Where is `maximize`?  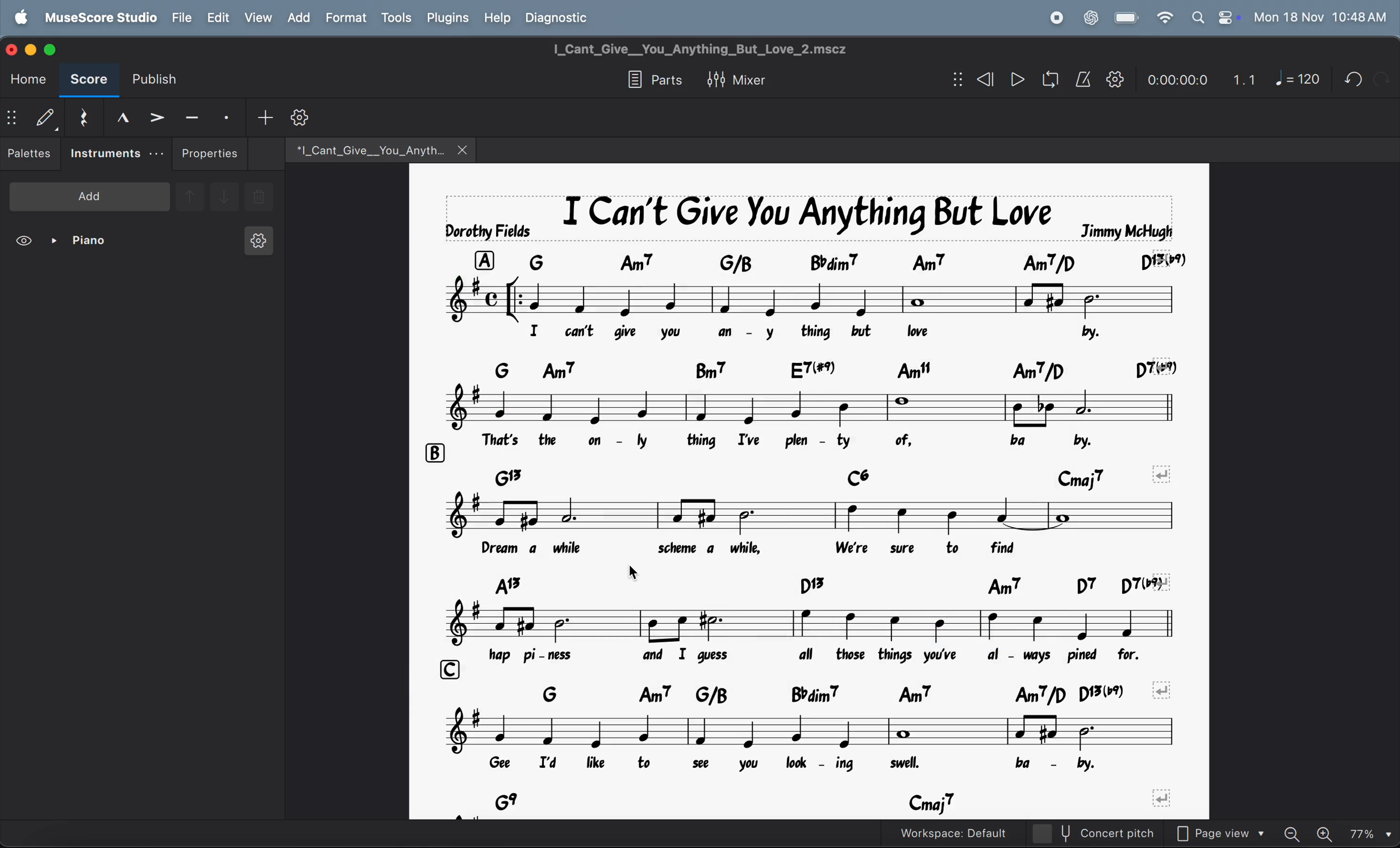
maximize is located at coordinates (56, 49).